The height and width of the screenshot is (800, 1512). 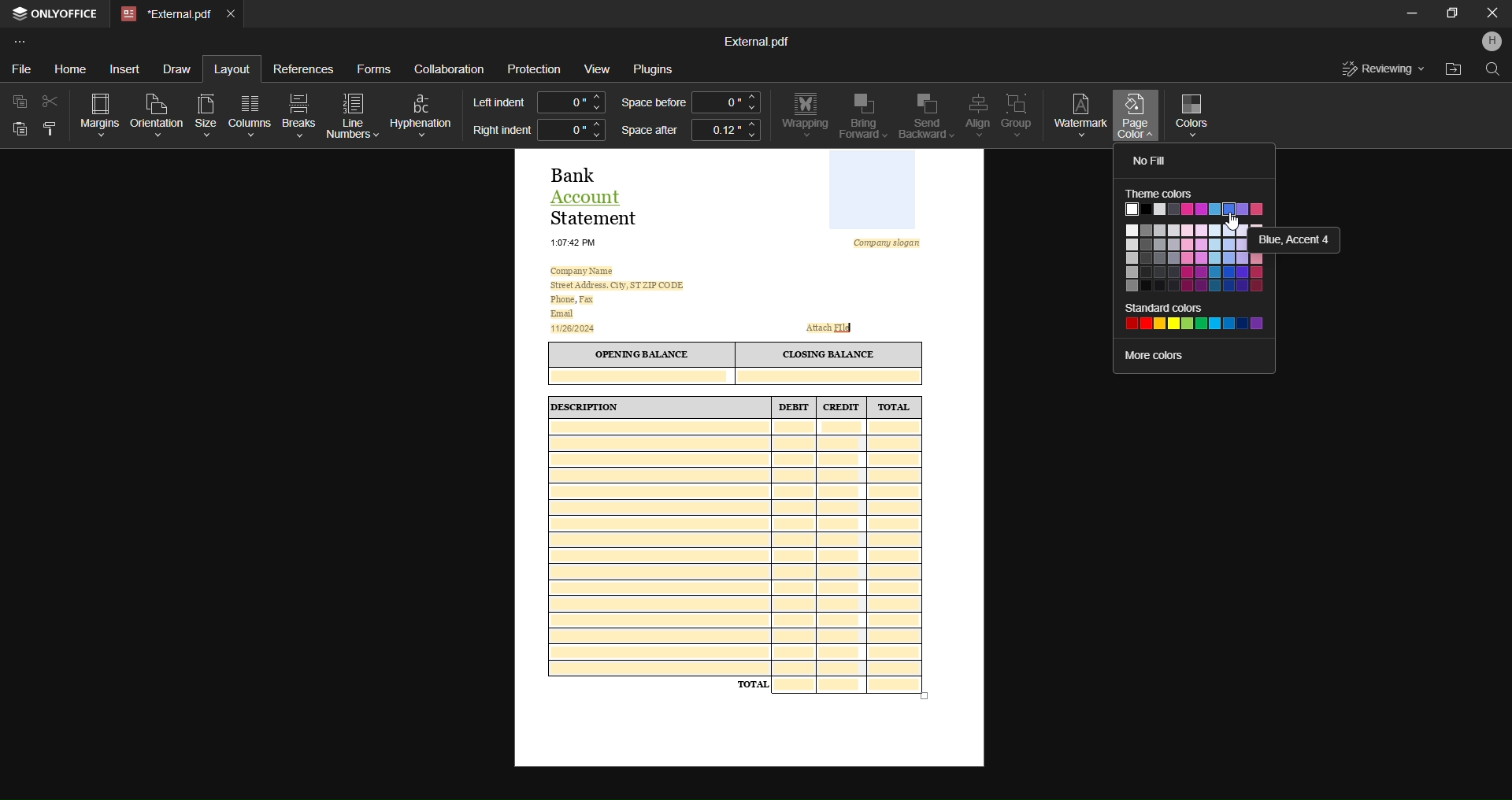 I want to click on Orientation, so click(x=156, y=113).